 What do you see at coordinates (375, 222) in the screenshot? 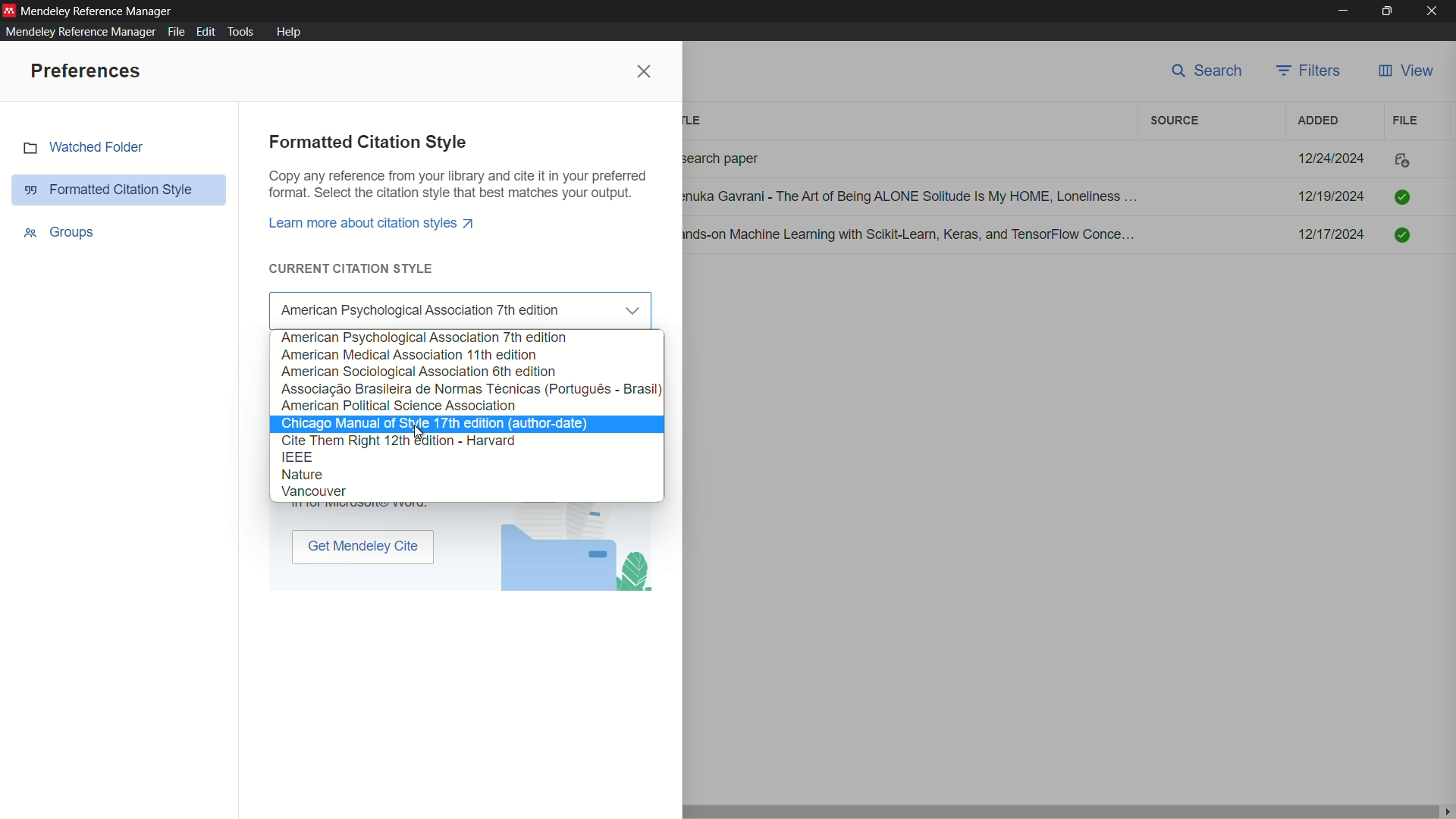
I see `link` at bounding box center [375, 222].